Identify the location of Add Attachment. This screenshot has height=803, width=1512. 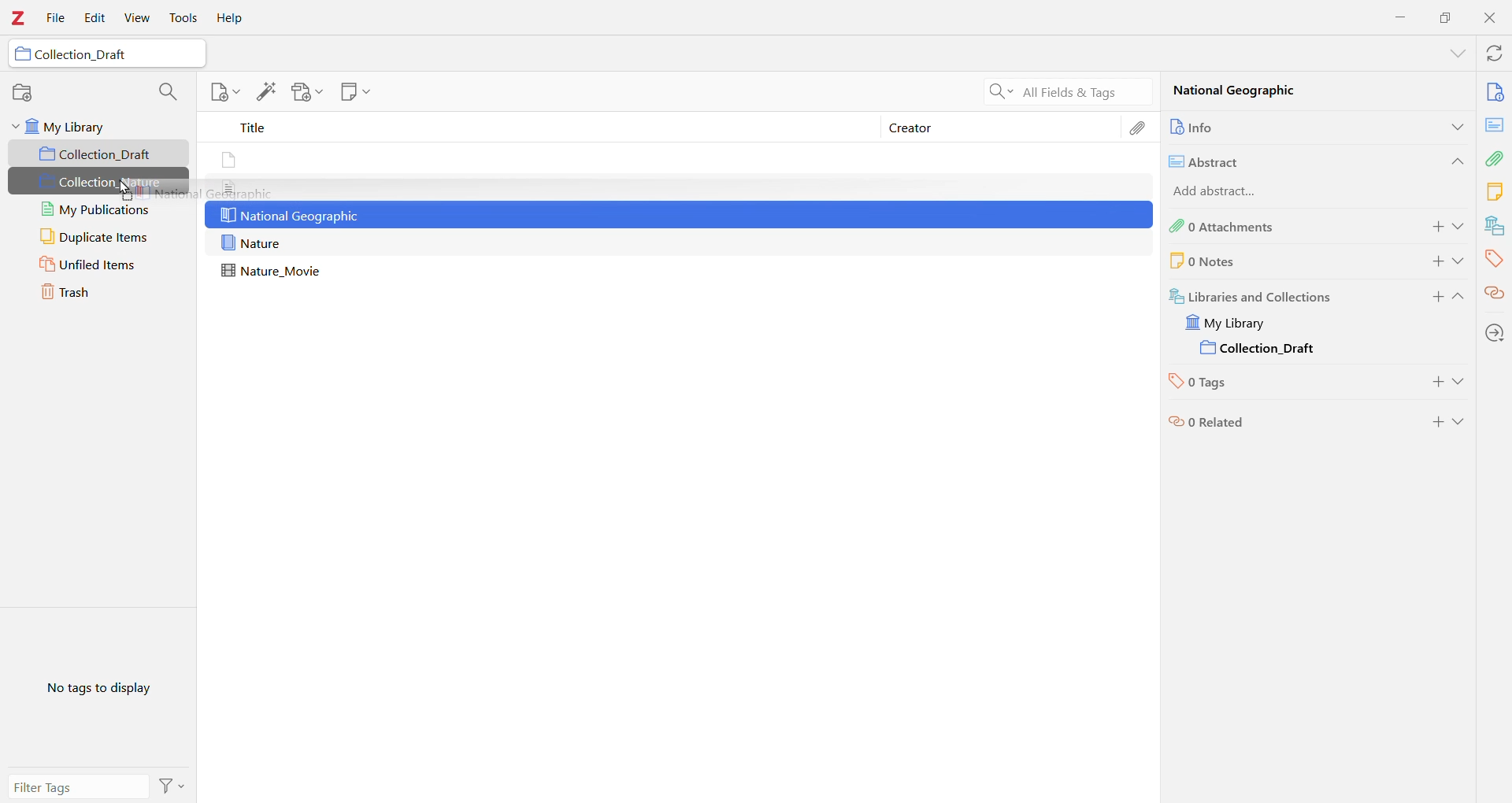
(303, 92).